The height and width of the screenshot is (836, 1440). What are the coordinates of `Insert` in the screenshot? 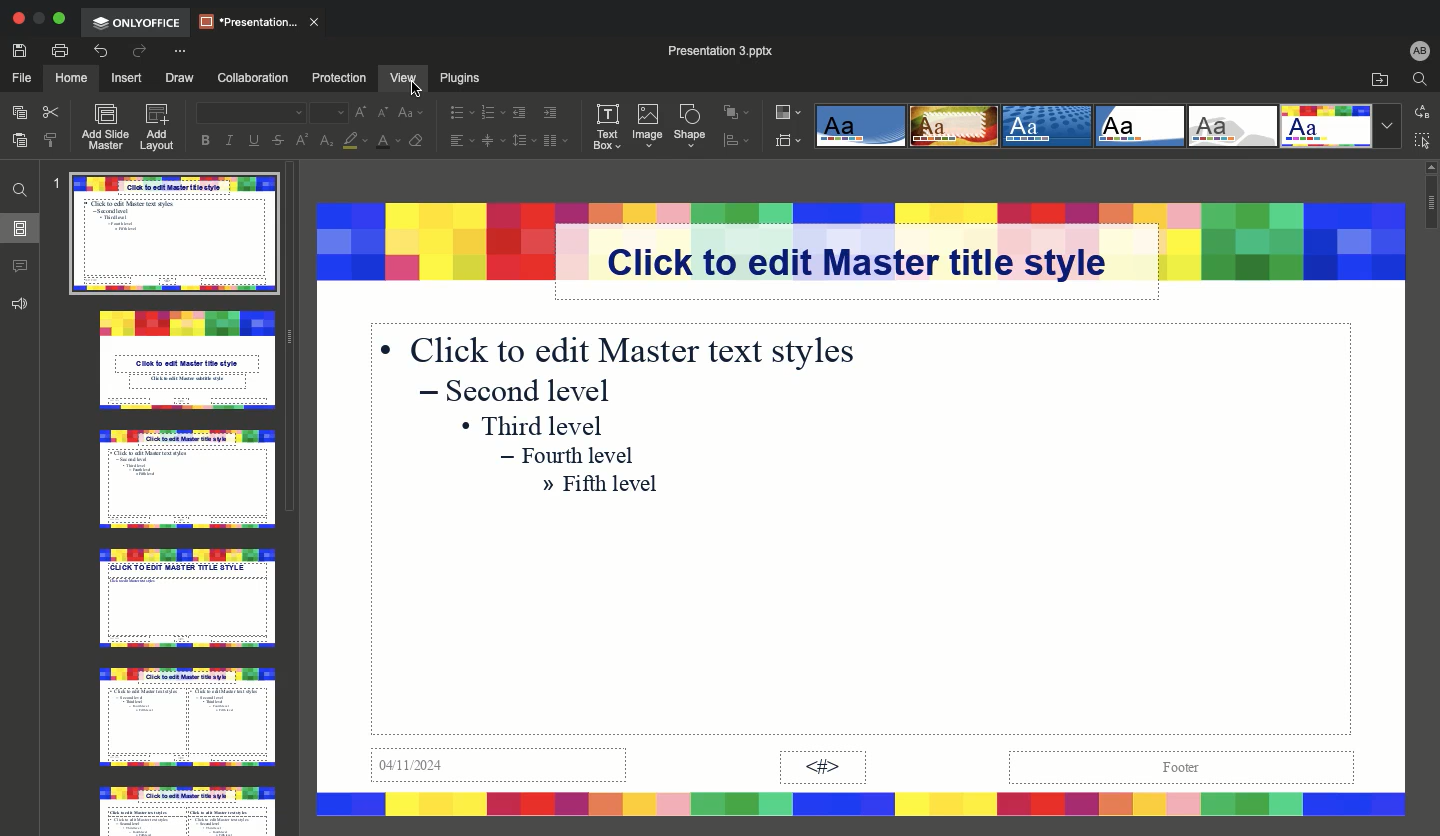 It's located at (126, 76).